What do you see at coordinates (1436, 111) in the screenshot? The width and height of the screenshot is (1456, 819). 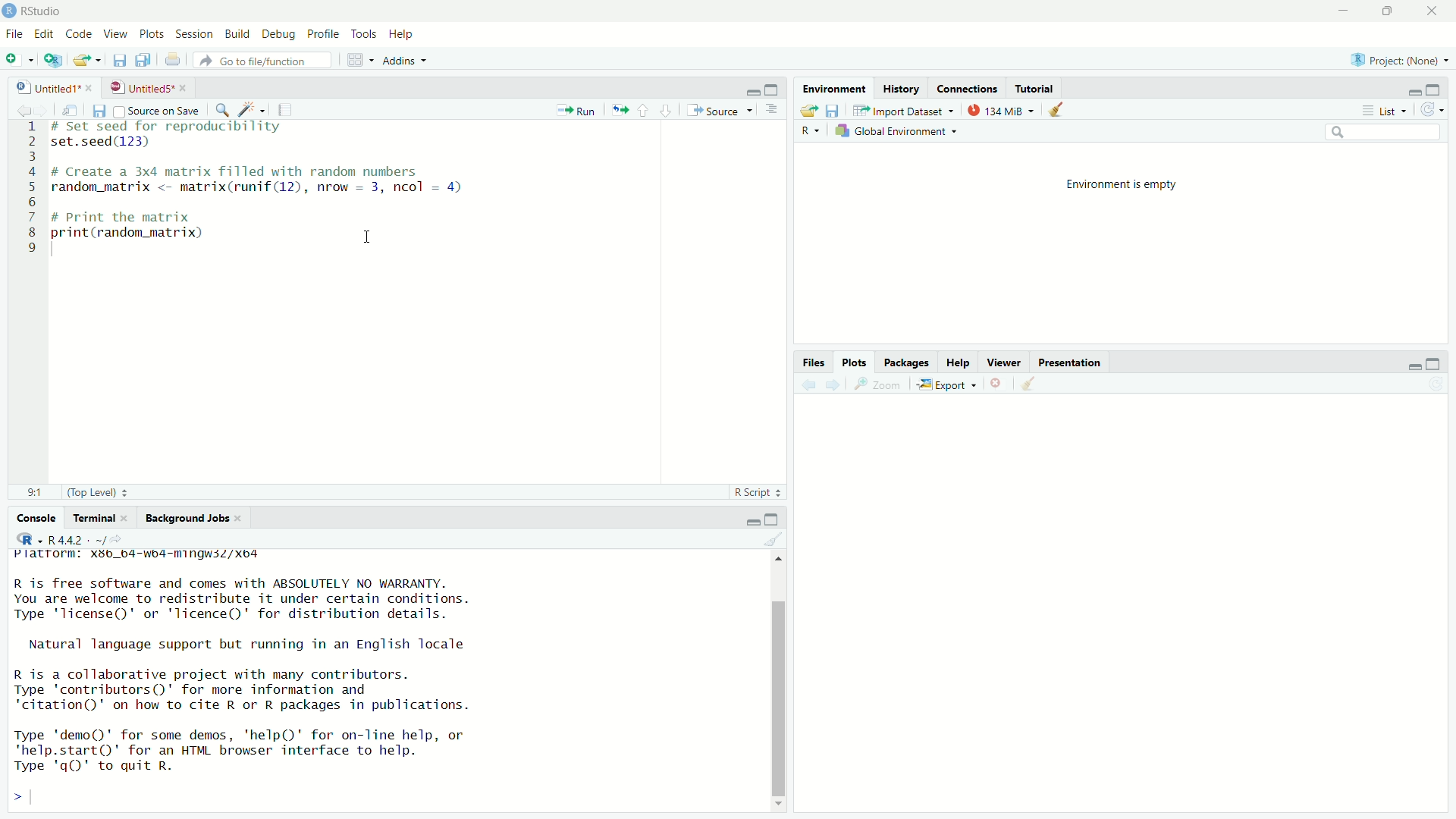 I see `refresh` at bounding box center [1436, 111].